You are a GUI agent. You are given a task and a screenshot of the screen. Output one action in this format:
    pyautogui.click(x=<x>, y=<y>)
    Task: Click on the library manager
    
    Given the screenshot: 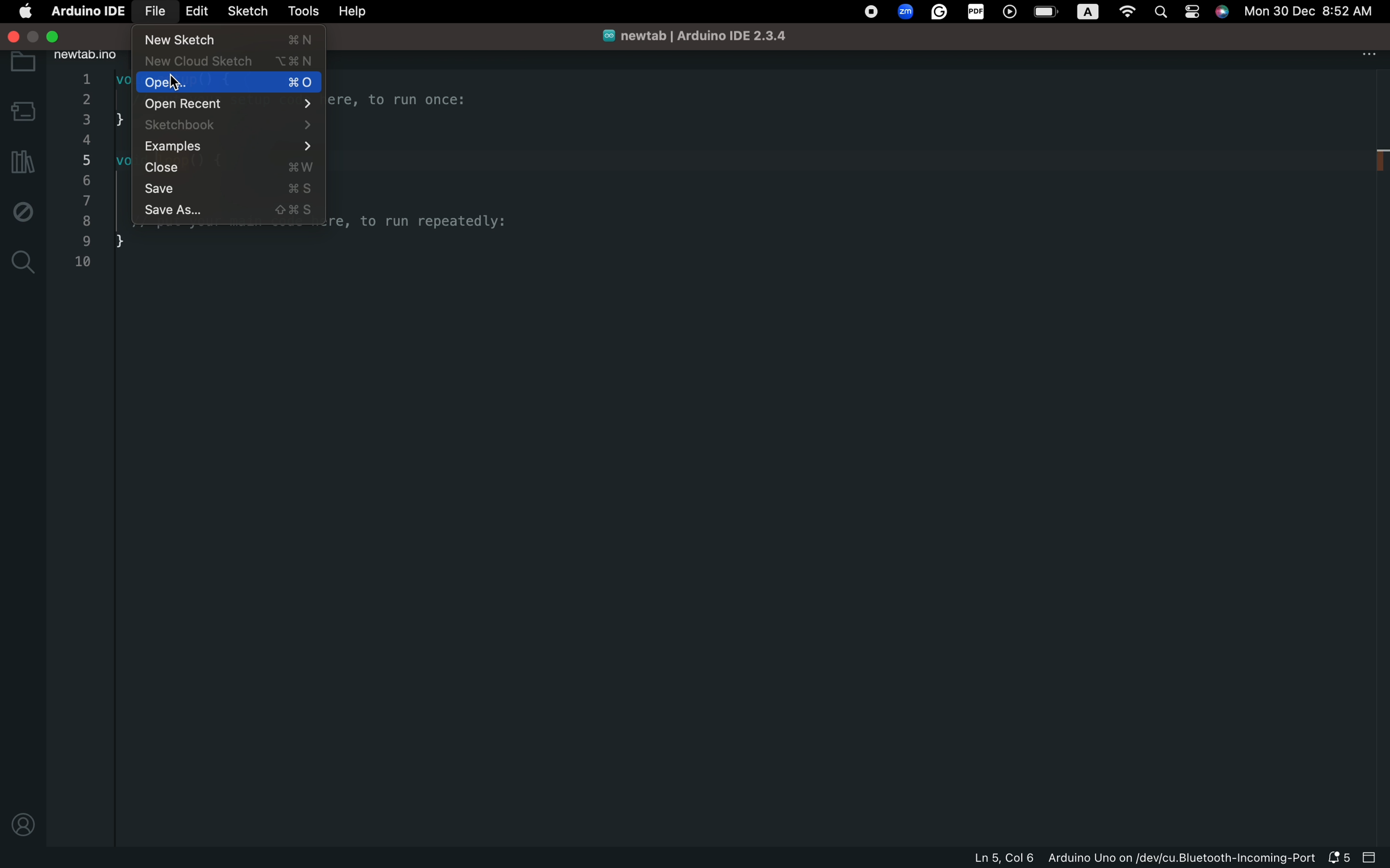 What is the action you would take?
    pyautogui.click(x=20, y=158)
    